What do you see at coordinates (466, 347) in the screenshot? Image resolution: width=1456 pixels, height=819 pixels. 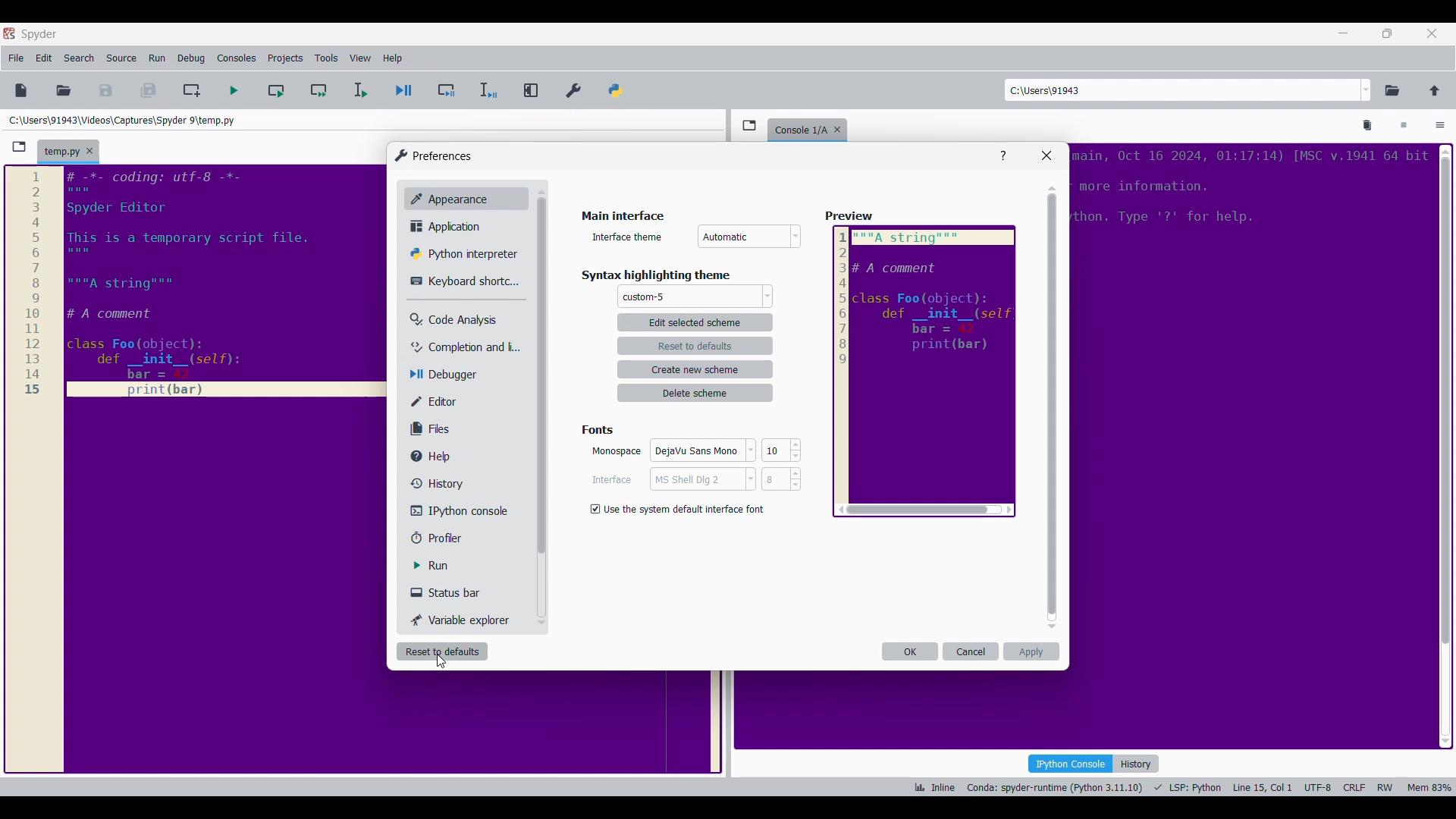 I see `Completion and linting` at bounding box center [466, 347].